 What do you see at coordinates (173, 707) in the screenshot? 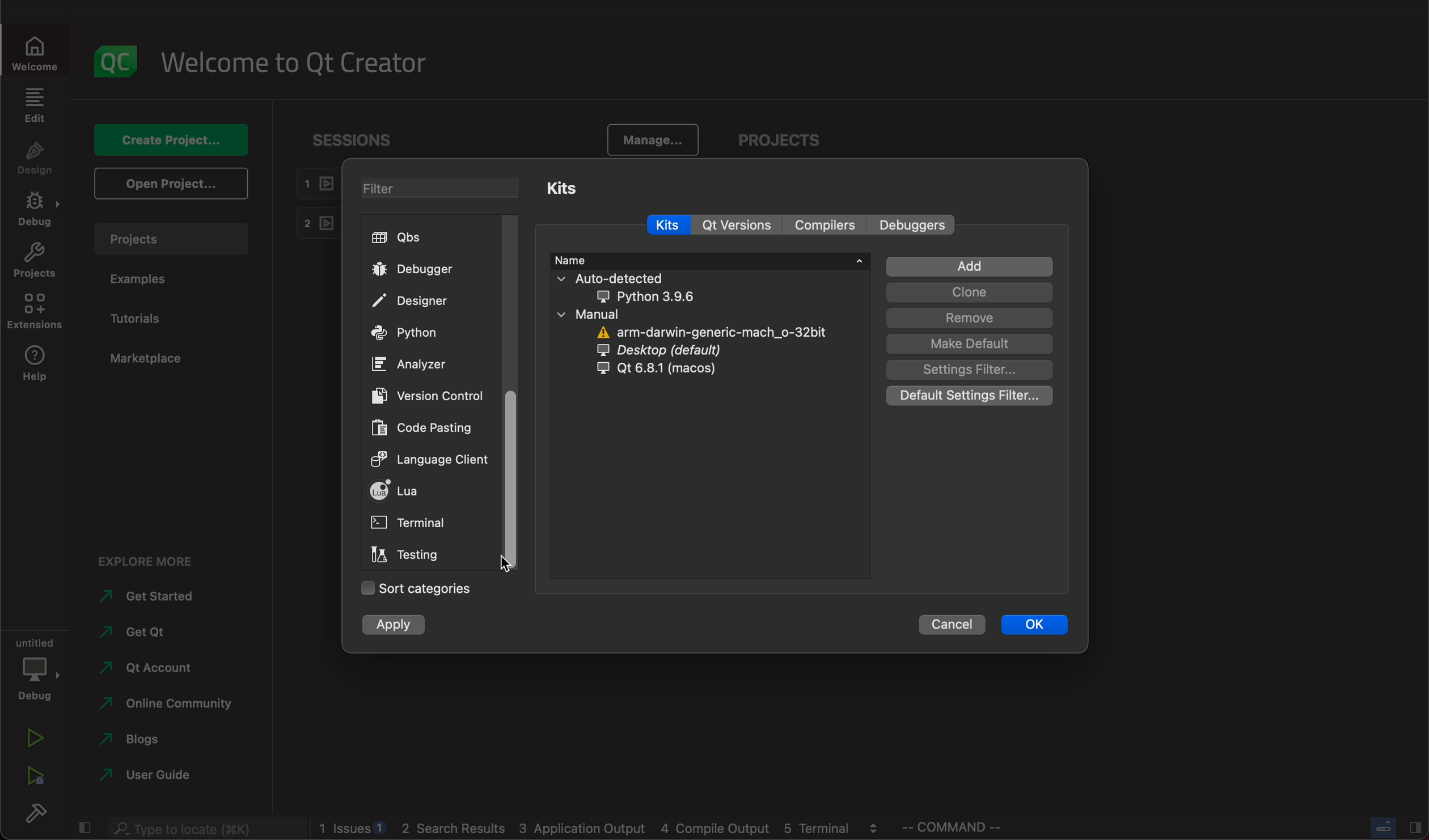
I see `community` at bounding box center [173, 707].